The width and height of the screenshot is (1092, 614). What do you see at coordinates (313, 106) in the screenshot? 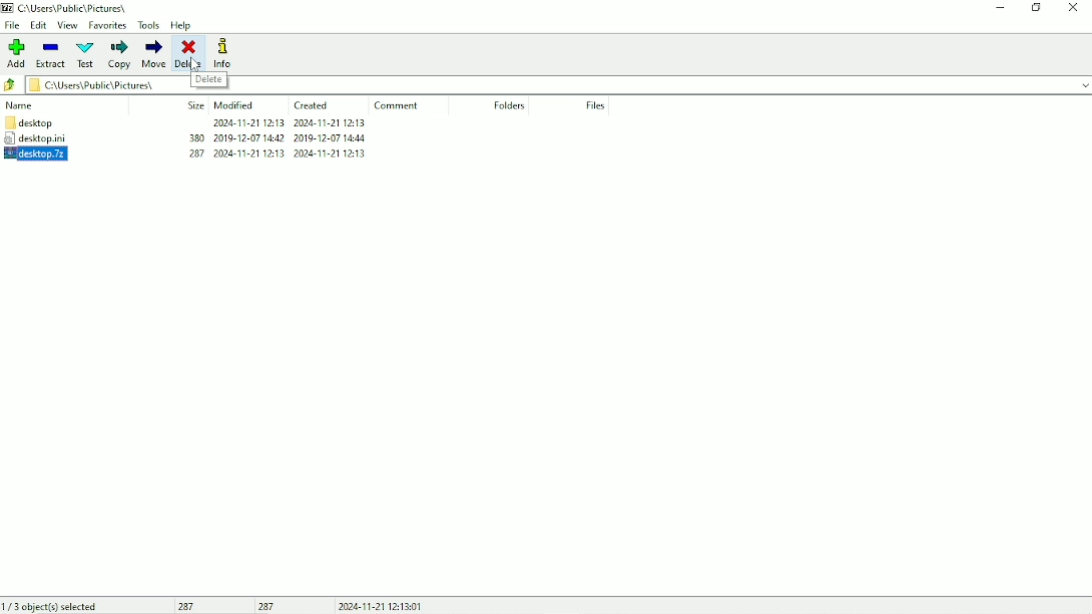
I see `Created` at bounding box center [313, 106].